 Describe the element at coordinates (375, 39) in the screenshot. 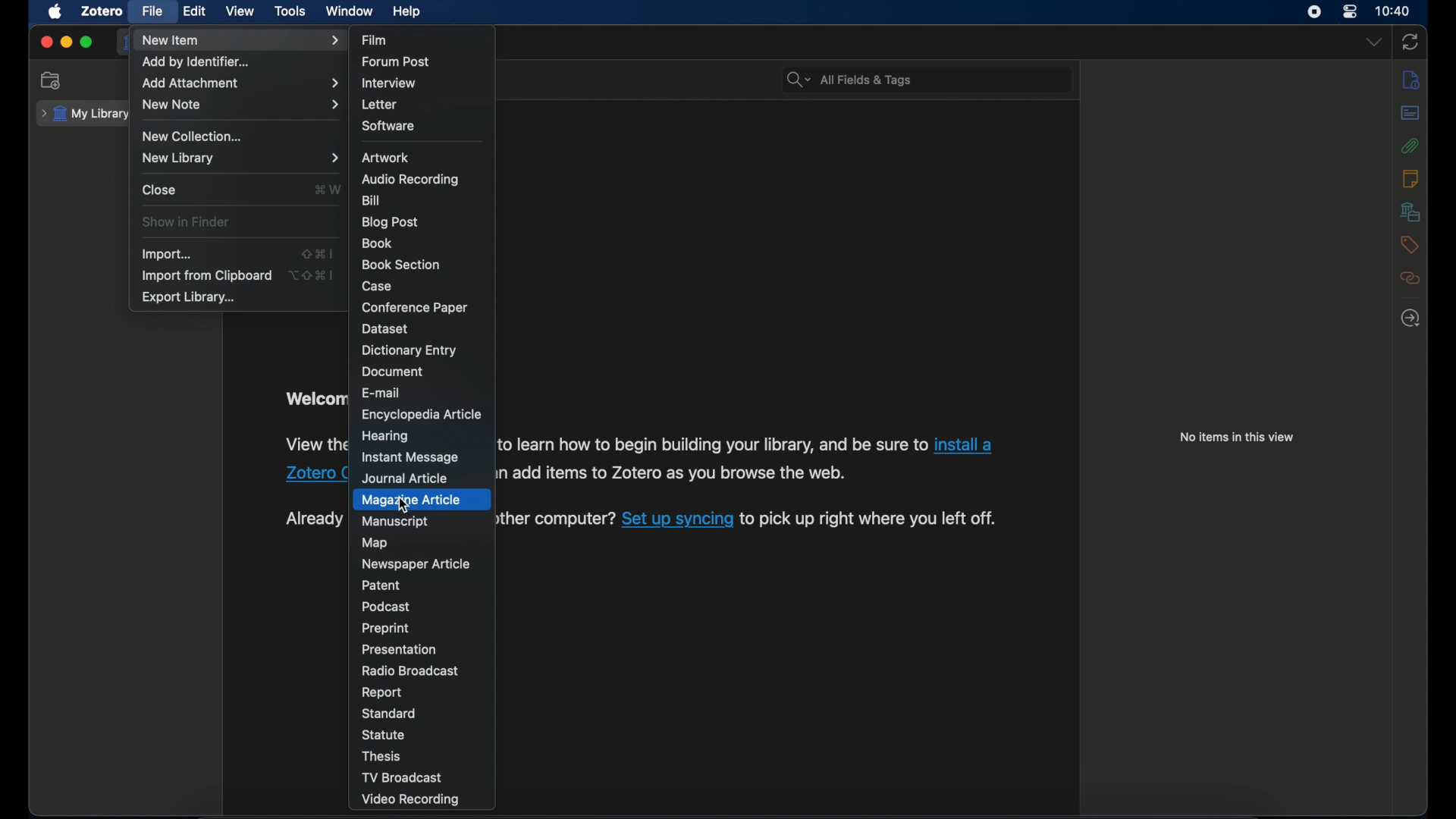

I see `film` at that location.